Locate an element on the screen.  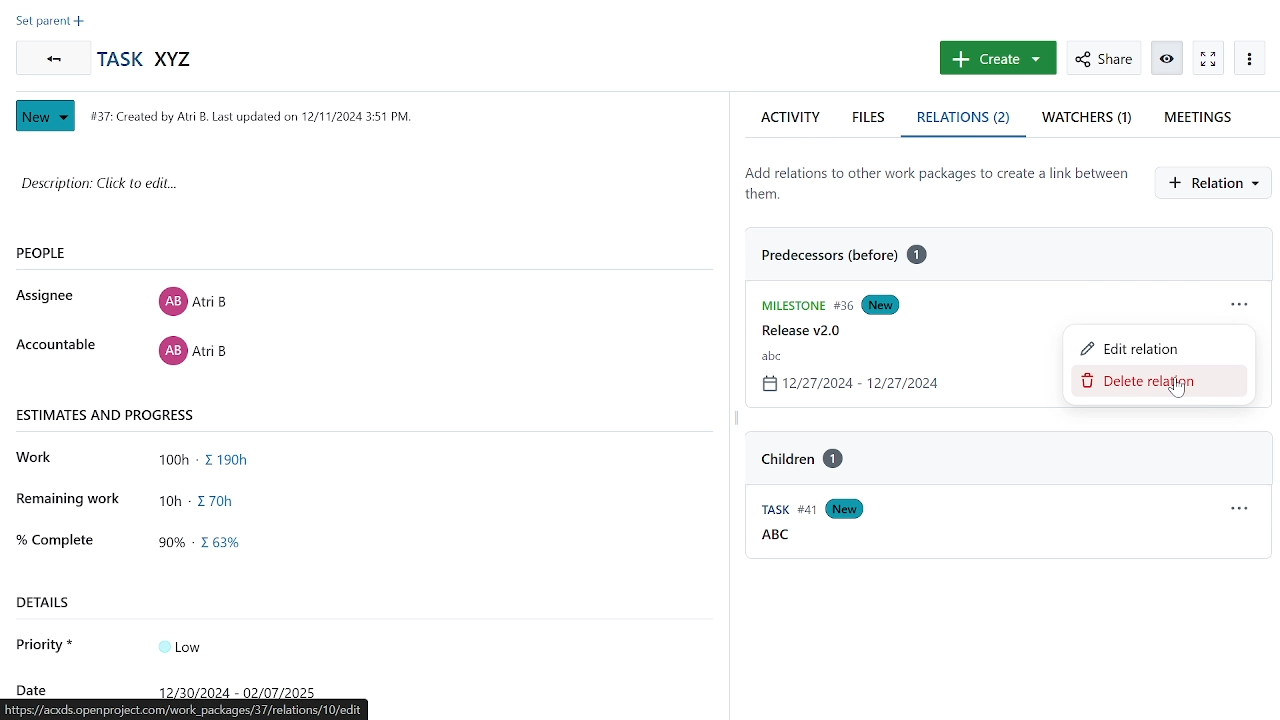
details is located at coordinates (51, 602).